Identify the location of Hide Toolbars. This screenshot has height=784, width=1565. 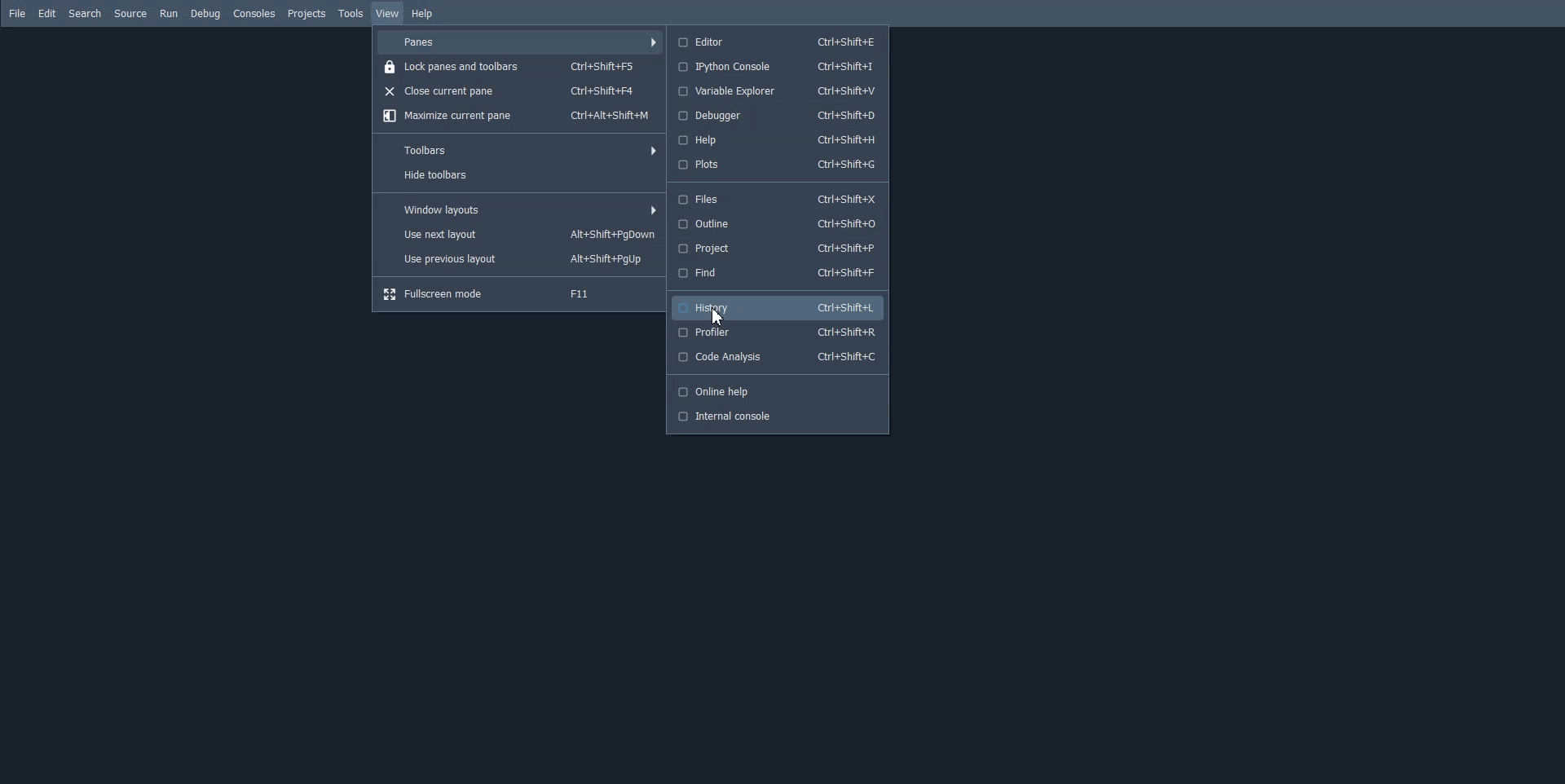
(518, 177).